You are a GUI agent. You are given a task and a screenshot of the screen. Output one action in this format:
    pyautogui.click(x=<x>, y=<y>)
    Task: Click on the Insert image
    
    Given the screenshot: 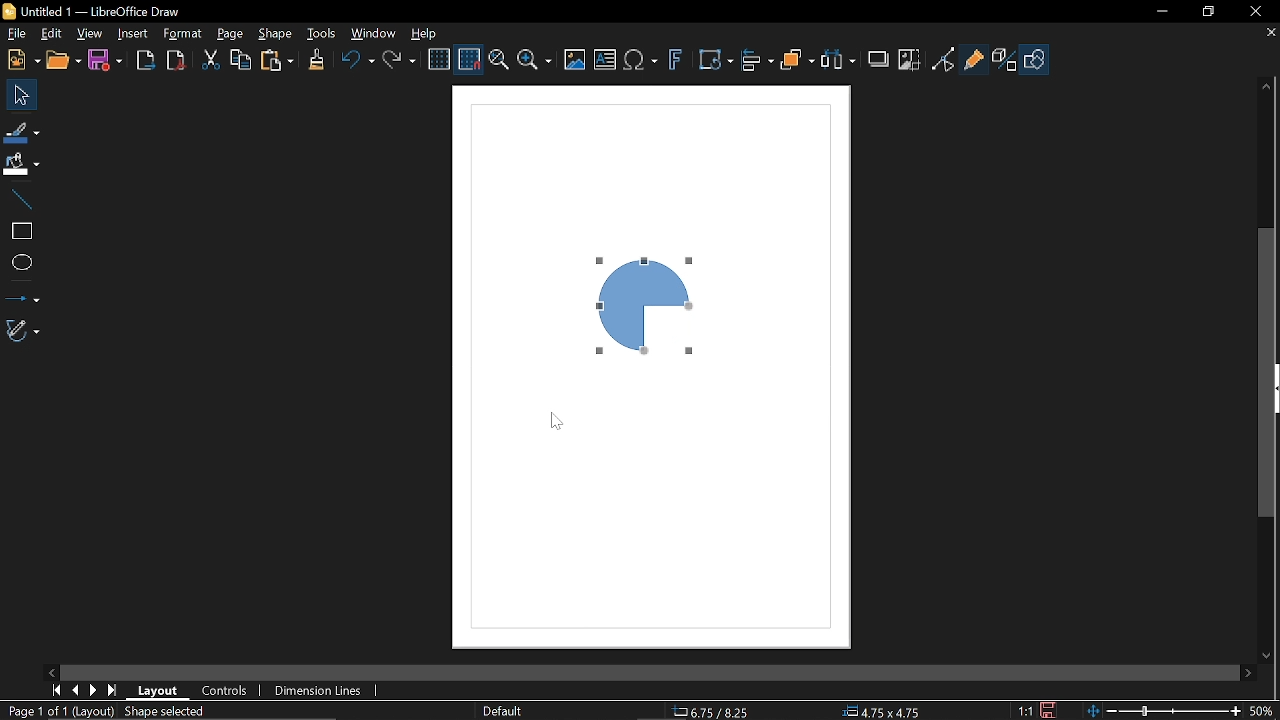 What is the action you would take?
    pyautogui.click(x=576, y=59)
    